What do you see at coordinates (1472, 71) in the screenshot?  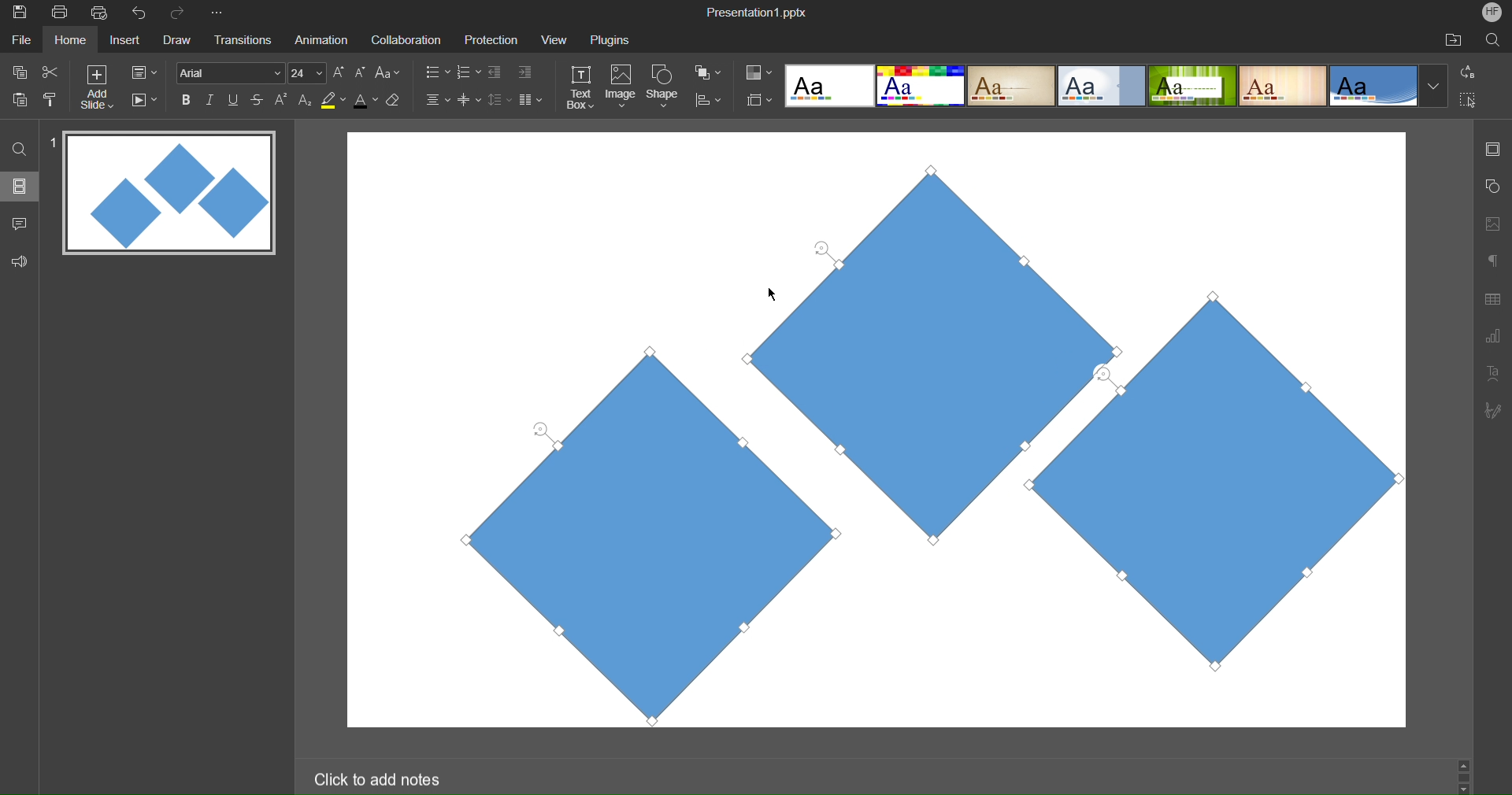 I see `a to b` at bounding box center [1472, 71].